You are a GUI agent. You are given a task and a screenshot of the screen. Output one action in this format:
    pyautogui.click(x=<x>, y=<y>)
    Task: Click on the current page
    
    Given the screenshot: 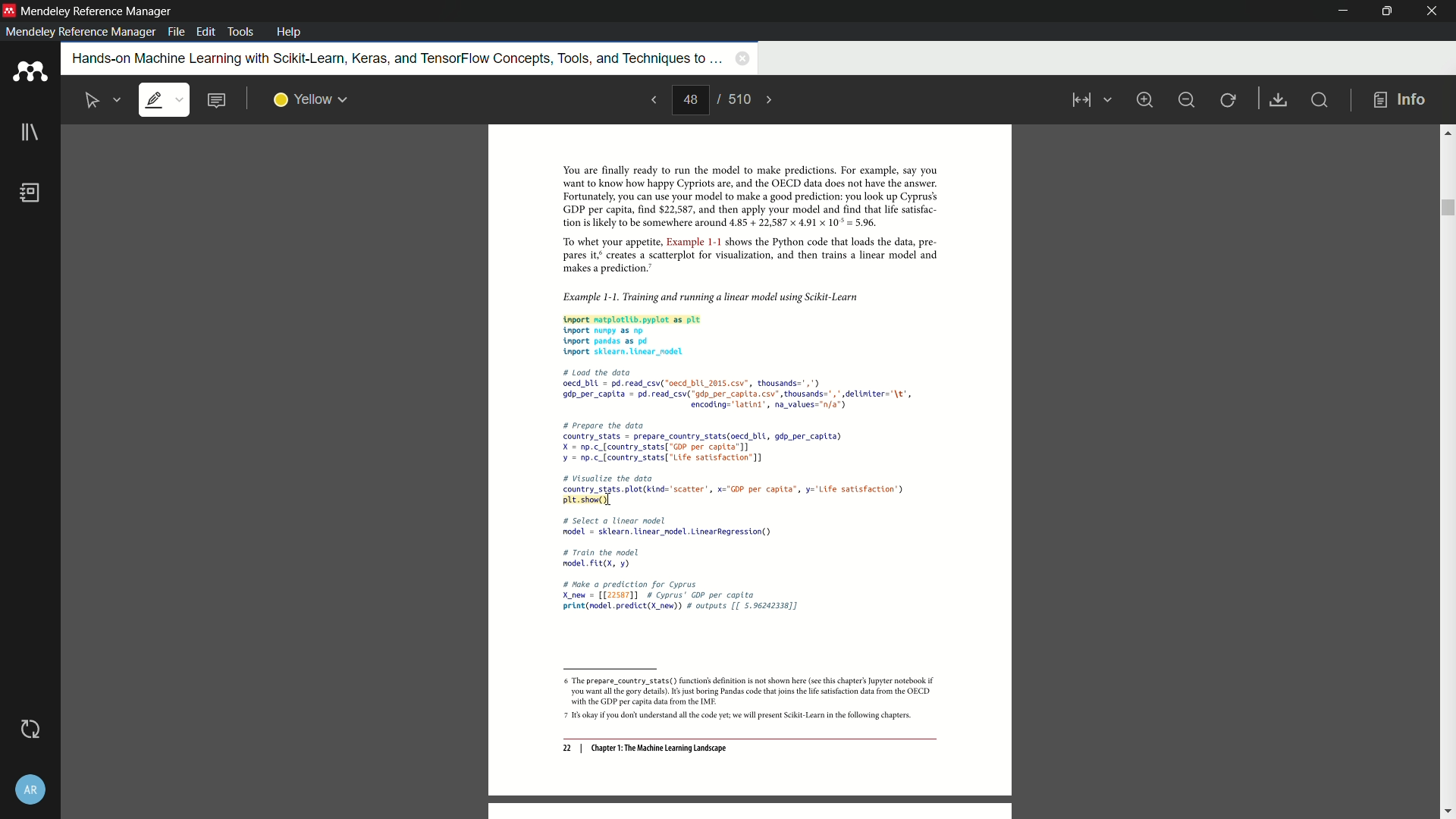 What is the action you would take?
    pyautogui.click(x=690, y=100)
    